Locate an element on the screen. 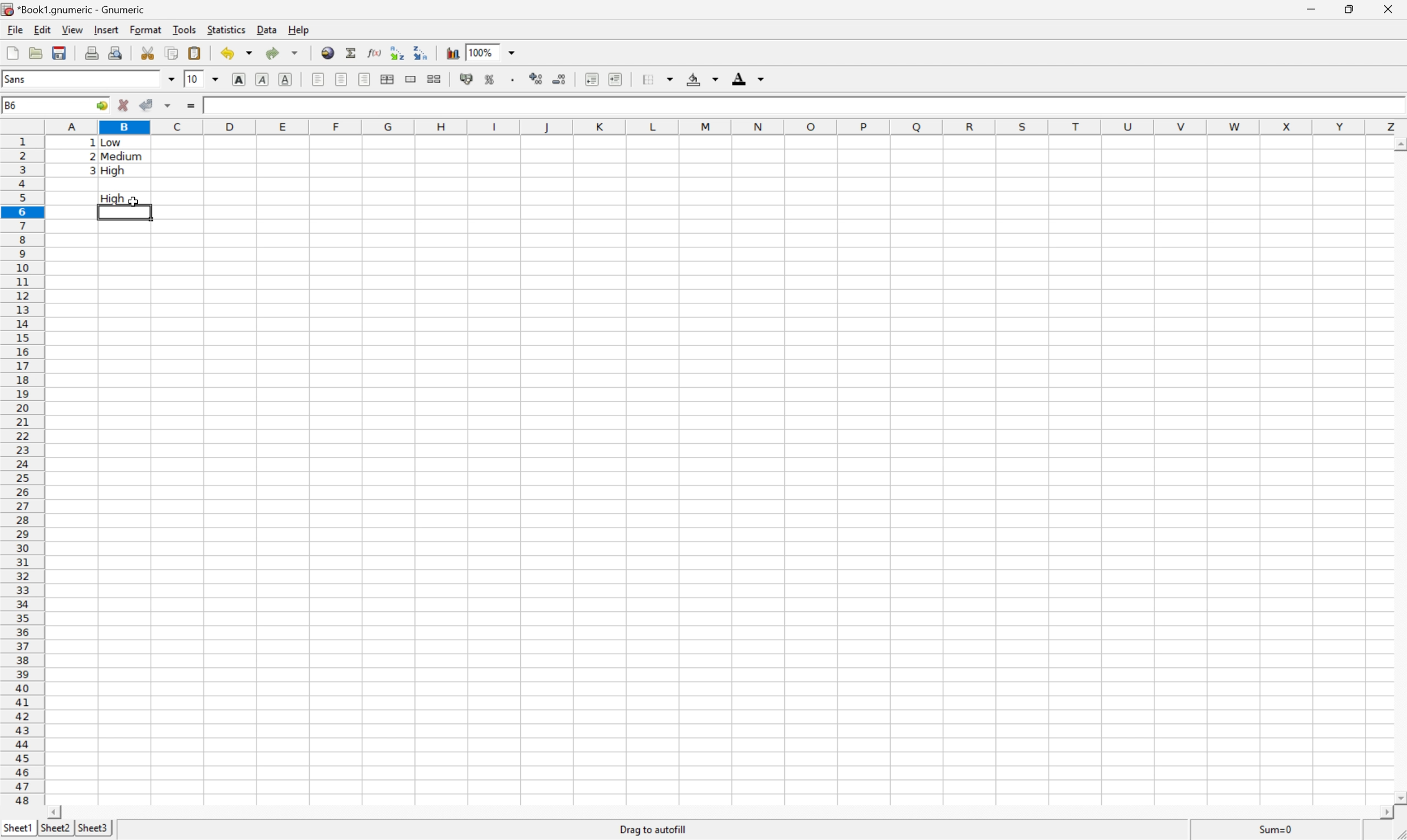 This screenshot has height=840, width=1407. Sum=1 is located at coordinates (1275, 829).